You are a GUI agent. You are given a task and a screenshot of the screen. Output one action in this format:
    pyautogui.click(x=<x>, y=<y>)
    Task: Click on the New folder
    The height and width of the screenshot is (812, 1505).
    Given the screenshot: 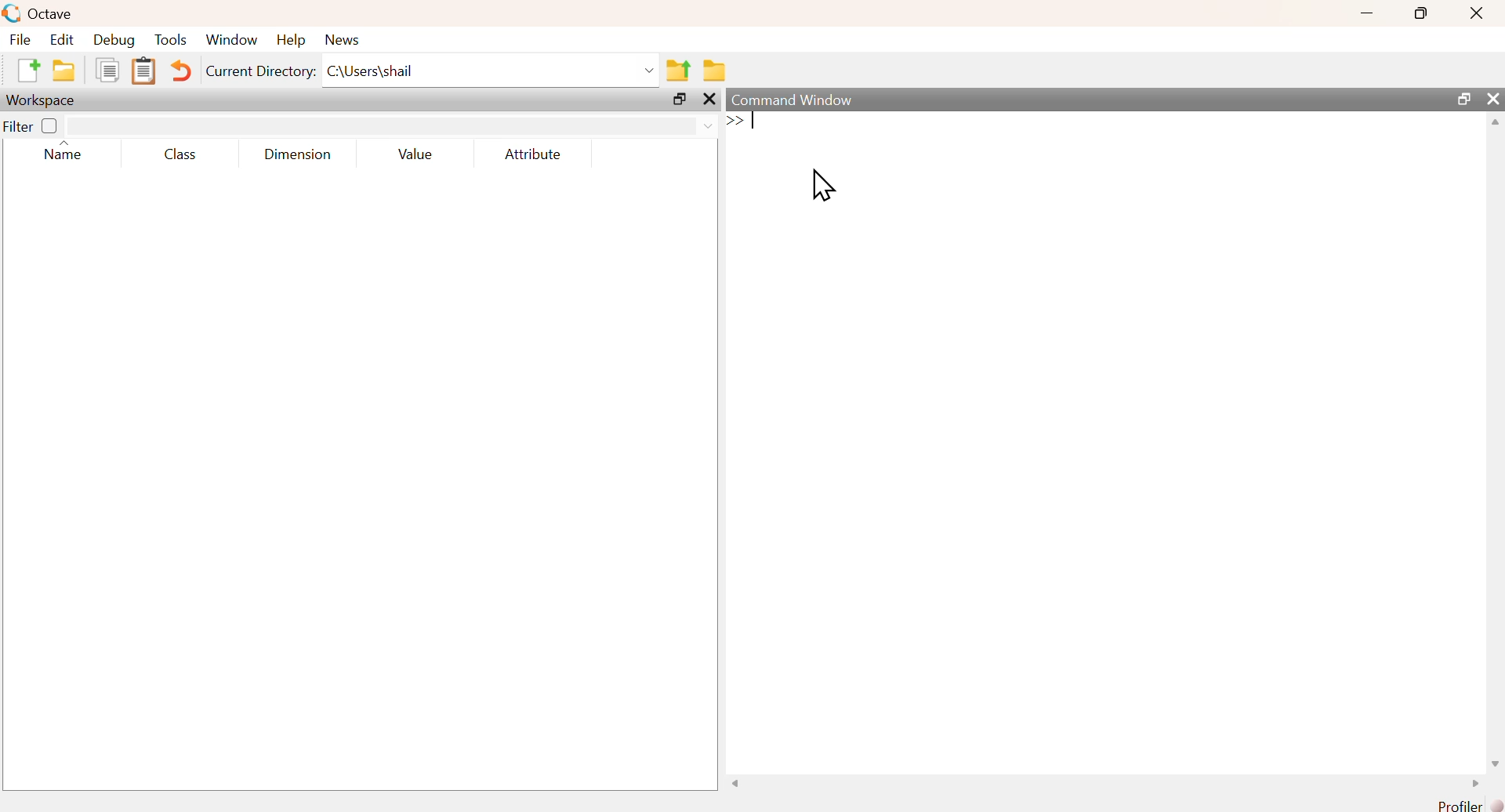 What is the action you would take?
    pyautogui.click(x=65, y=70)
    